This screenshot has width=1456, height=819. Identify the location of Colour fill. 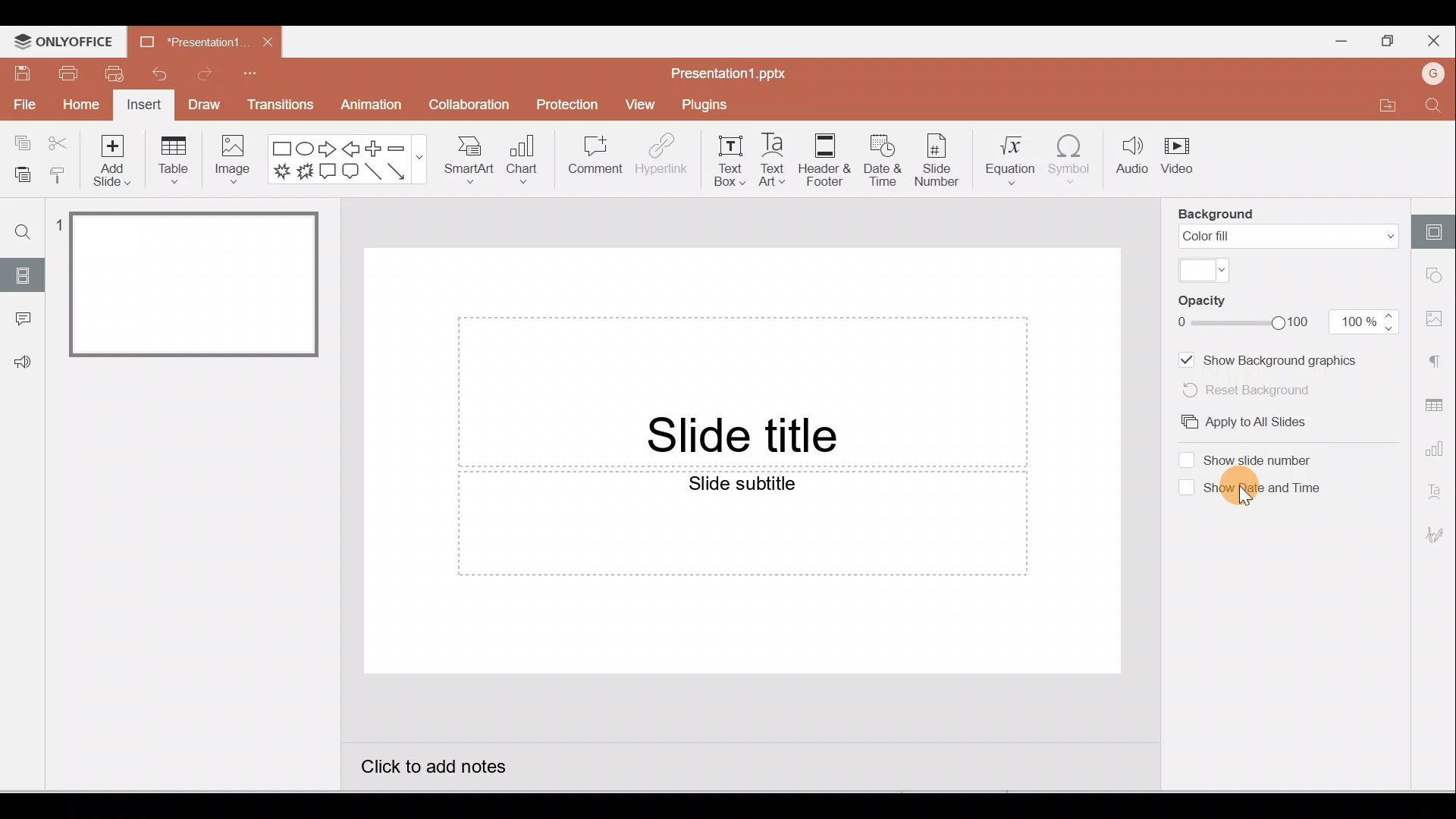
(1288, 237).